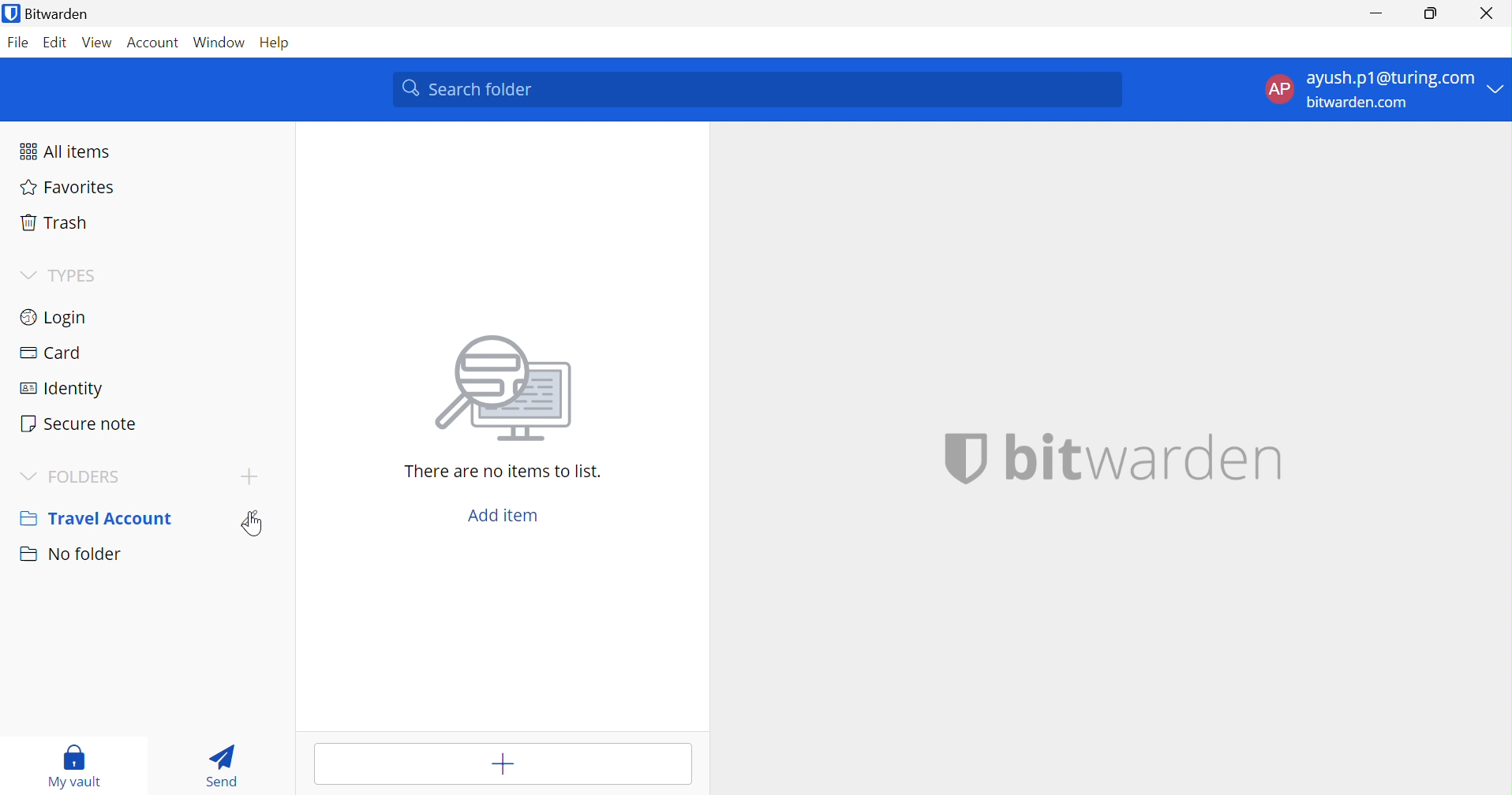  Describe the element at coordinates (256, 518) in the screenshot. I see `Edit` at that location.